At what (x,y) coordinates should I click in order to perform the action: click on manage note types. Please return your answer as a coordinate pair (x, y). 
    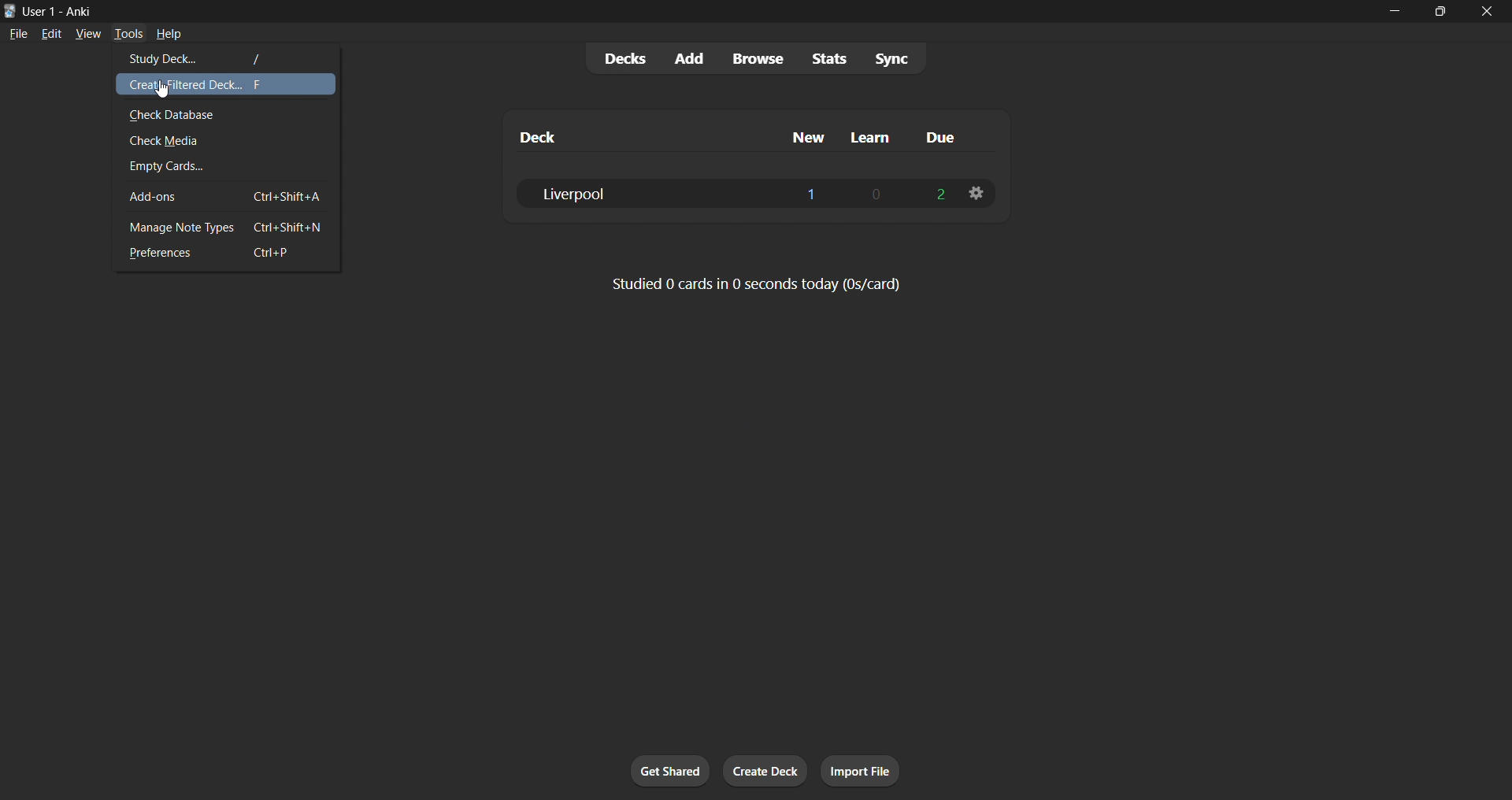
    Looking at the image, I should click on (223, 228).